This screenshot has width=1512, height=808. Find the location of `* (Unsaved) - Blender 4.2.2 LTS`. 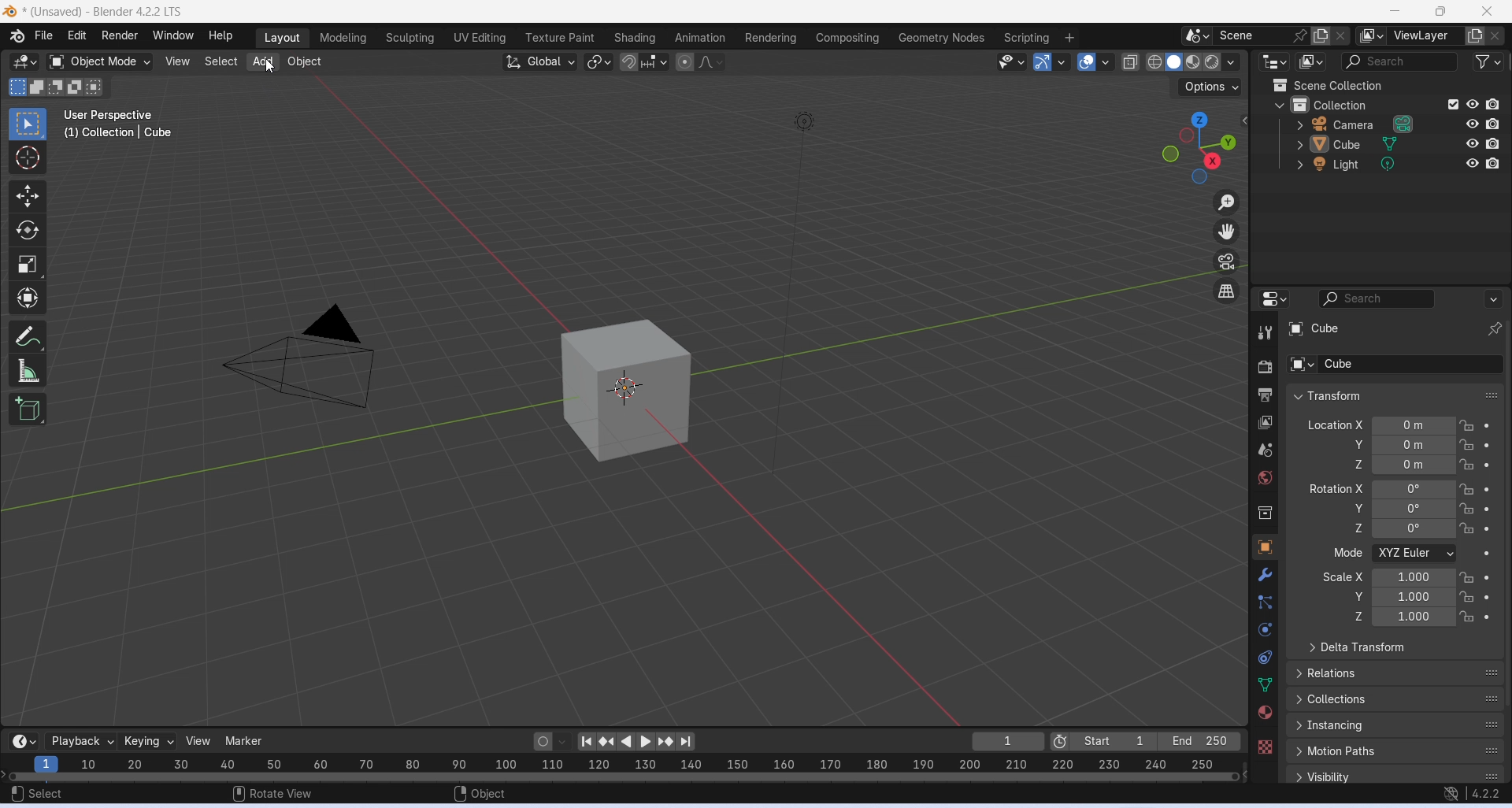

* (Unsaved) - Blender 4.2.2 LTS is located at coordinates (102, 13).